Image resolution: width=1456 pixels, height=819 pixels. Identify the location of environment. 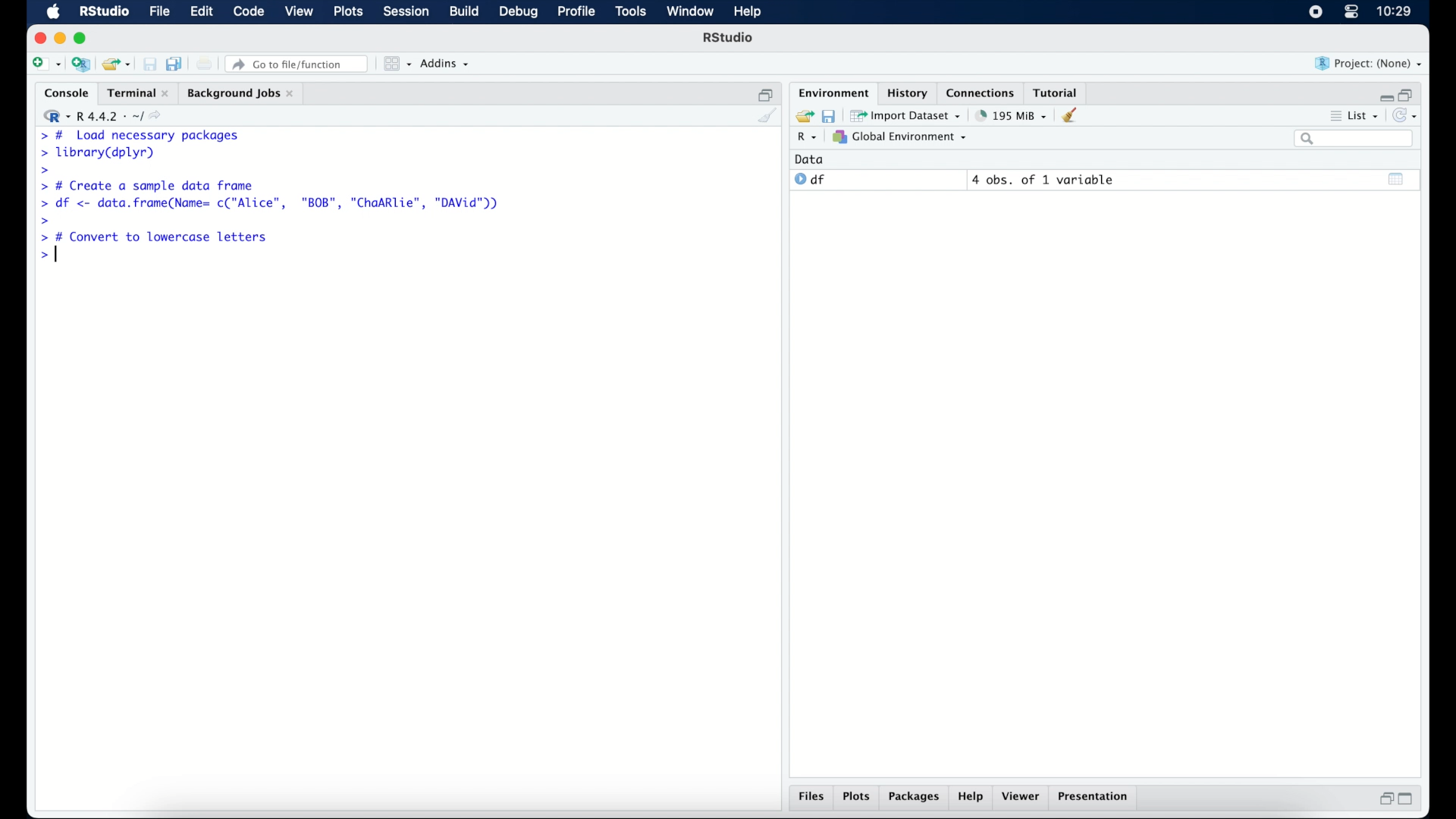
(831, 92).